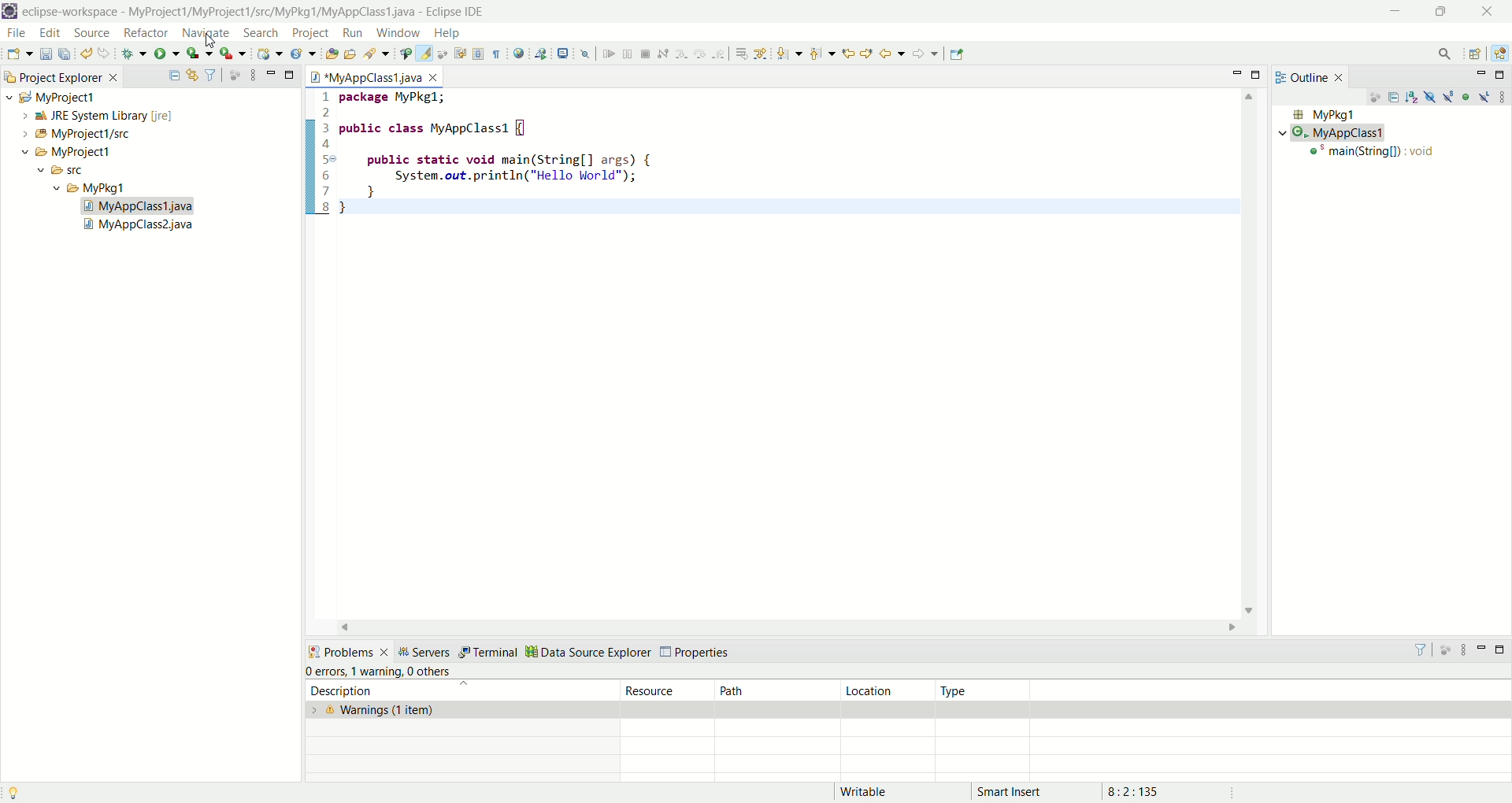  I want to click on 1 package MyPkg1; 2 3 public class MyAppClass1 { 4 5 public static void main(String[] args) {6 System. out.println(*Hello World");7 }8}, so click(525, 152).